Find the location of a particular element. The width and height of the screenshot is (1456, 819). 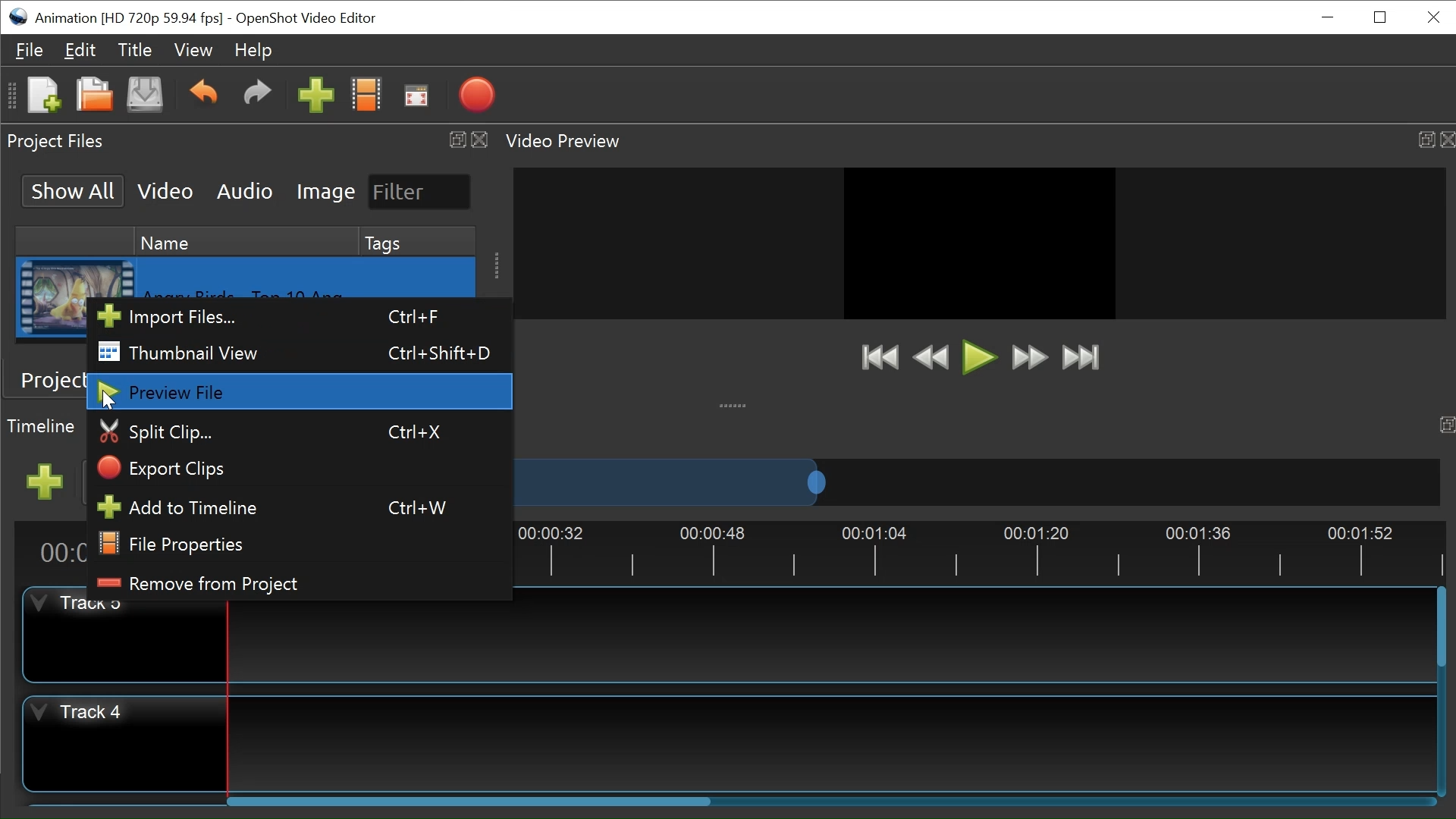

Timeline is located at coordinates (981, 550).